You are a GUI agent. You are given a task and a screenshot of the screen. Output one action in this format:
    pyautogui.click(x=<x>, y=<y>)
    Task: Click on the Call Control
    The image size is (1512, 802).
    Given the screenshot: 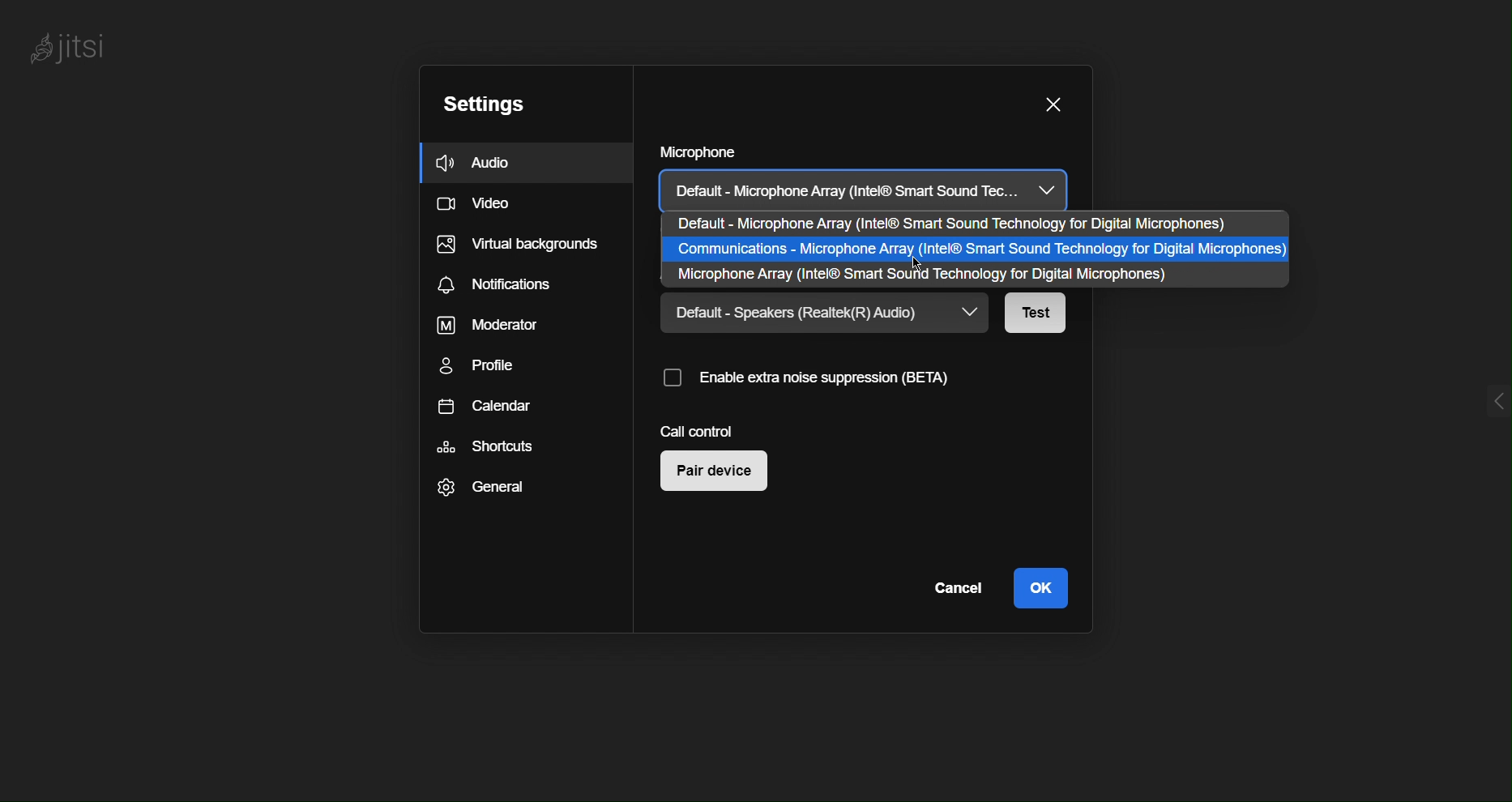 What is the action you would take?
    pyautogui.click(x=703, y=430)
    